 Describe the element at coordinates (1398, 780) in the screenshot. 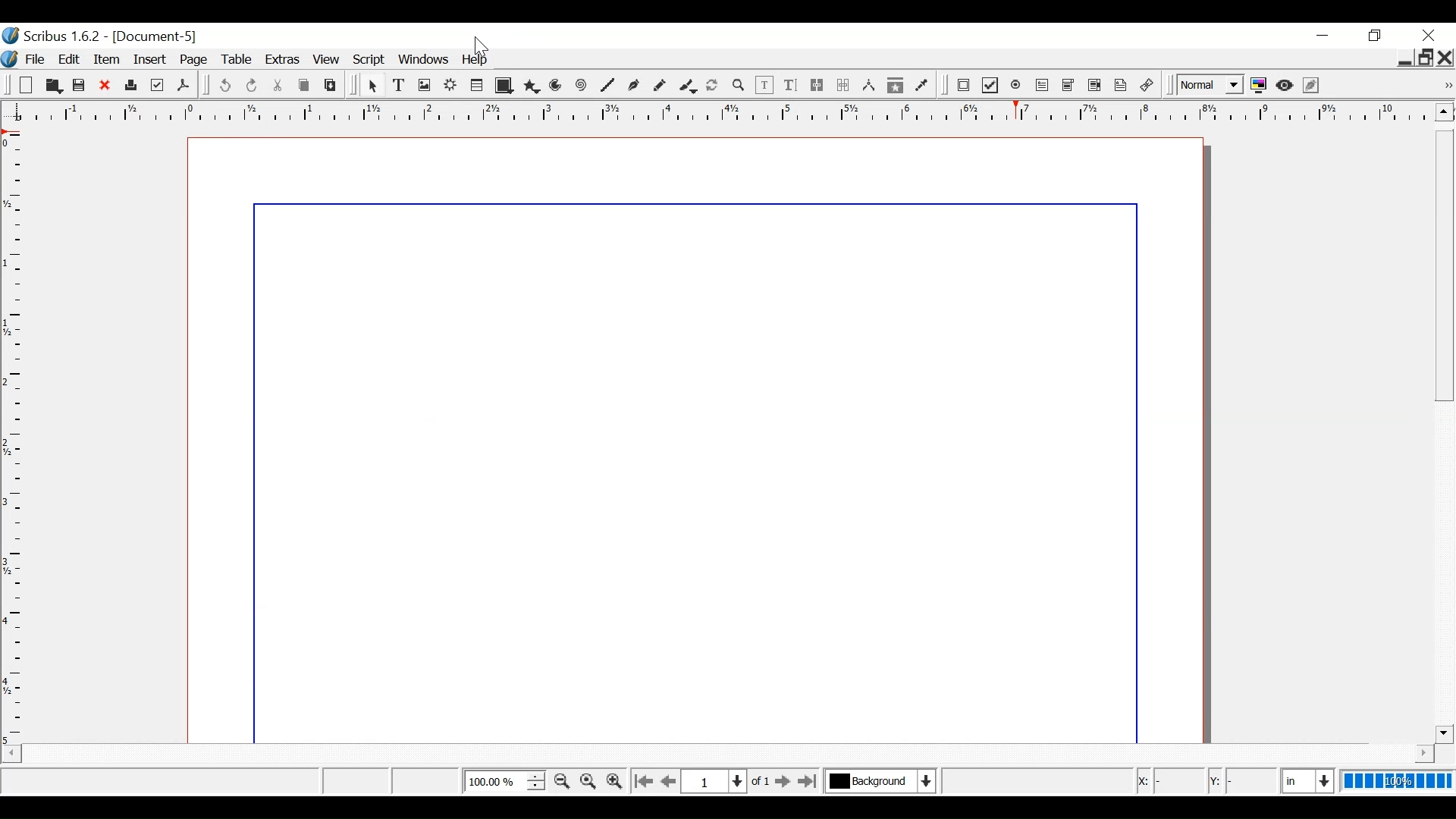

I see `100%` at that location.